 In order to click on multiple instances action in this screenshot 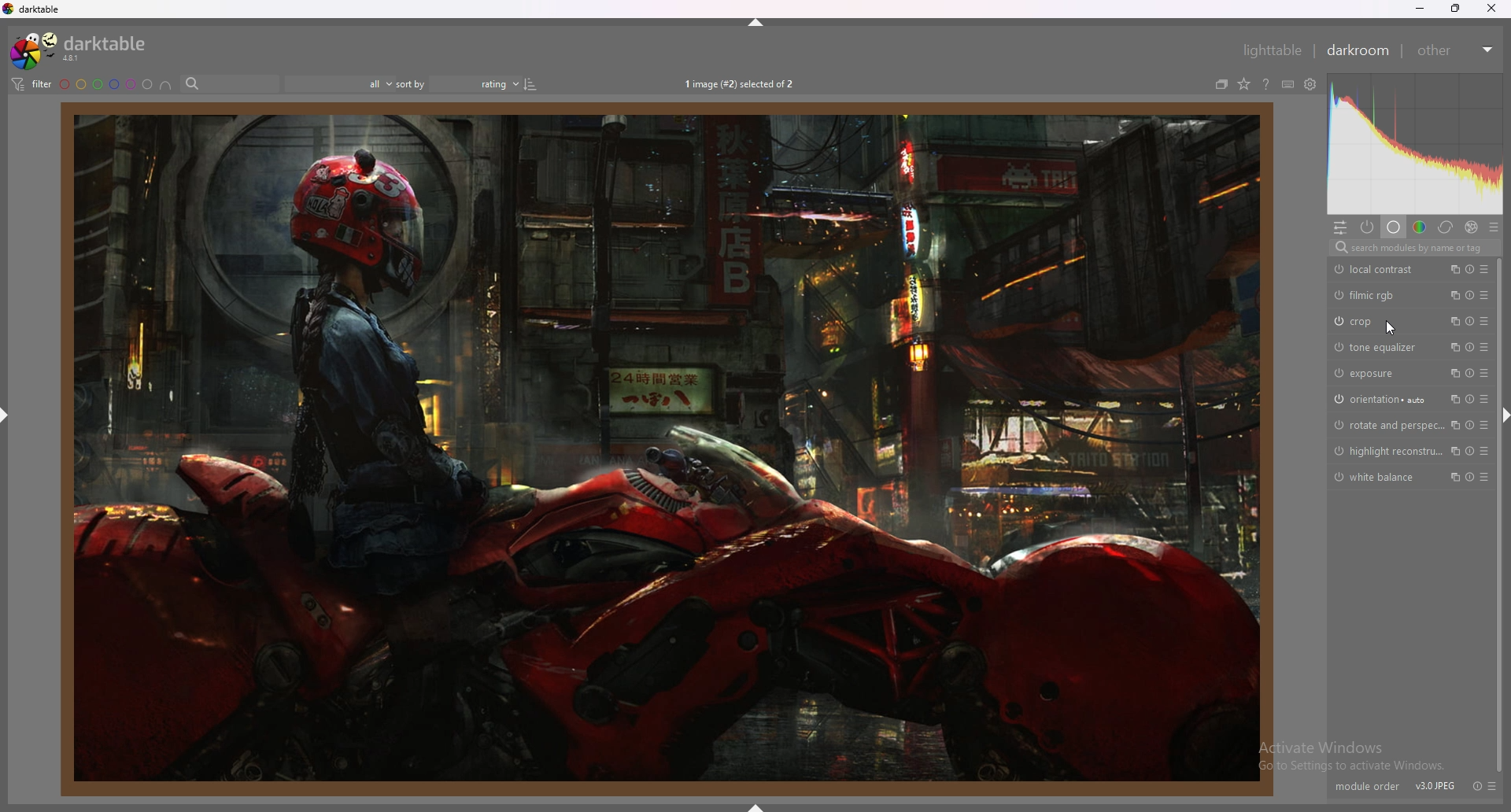, I will do `click(1452, 373)`.